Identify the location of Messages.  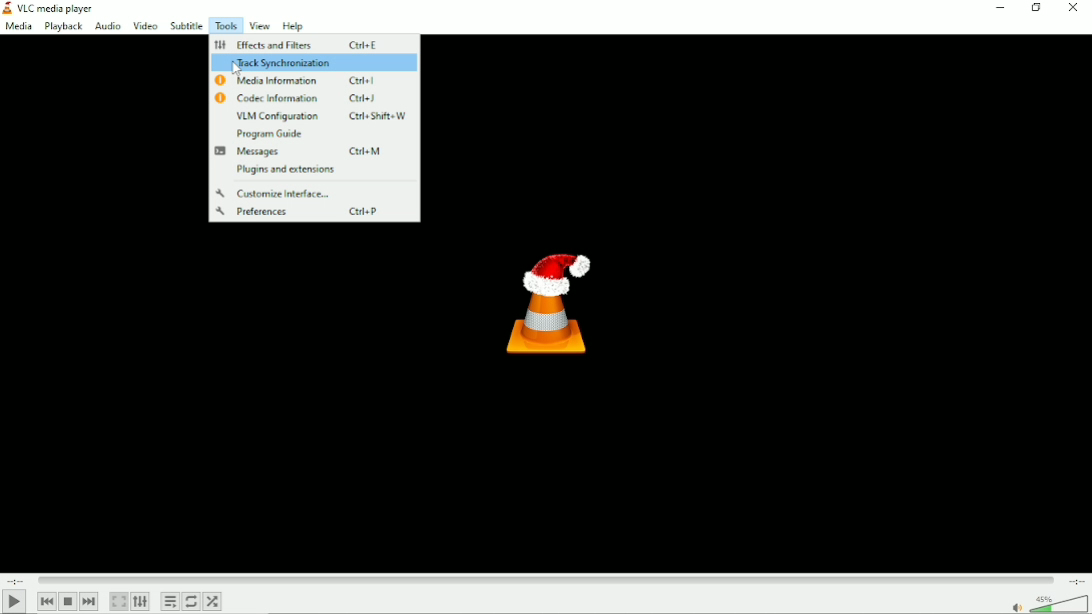
(313, 152).